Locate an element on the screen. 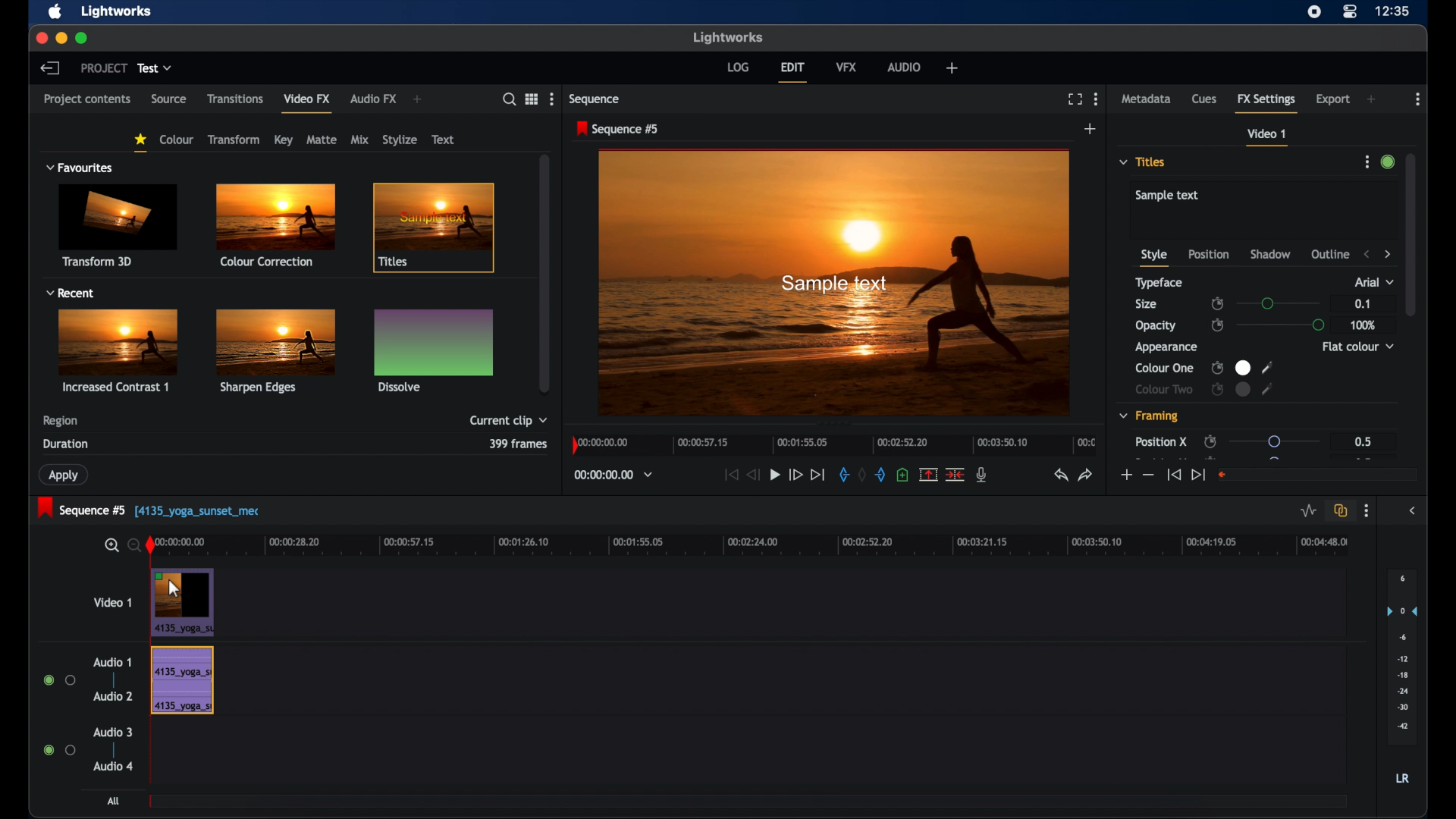  enable disable is located at coordinates (1216, 303).